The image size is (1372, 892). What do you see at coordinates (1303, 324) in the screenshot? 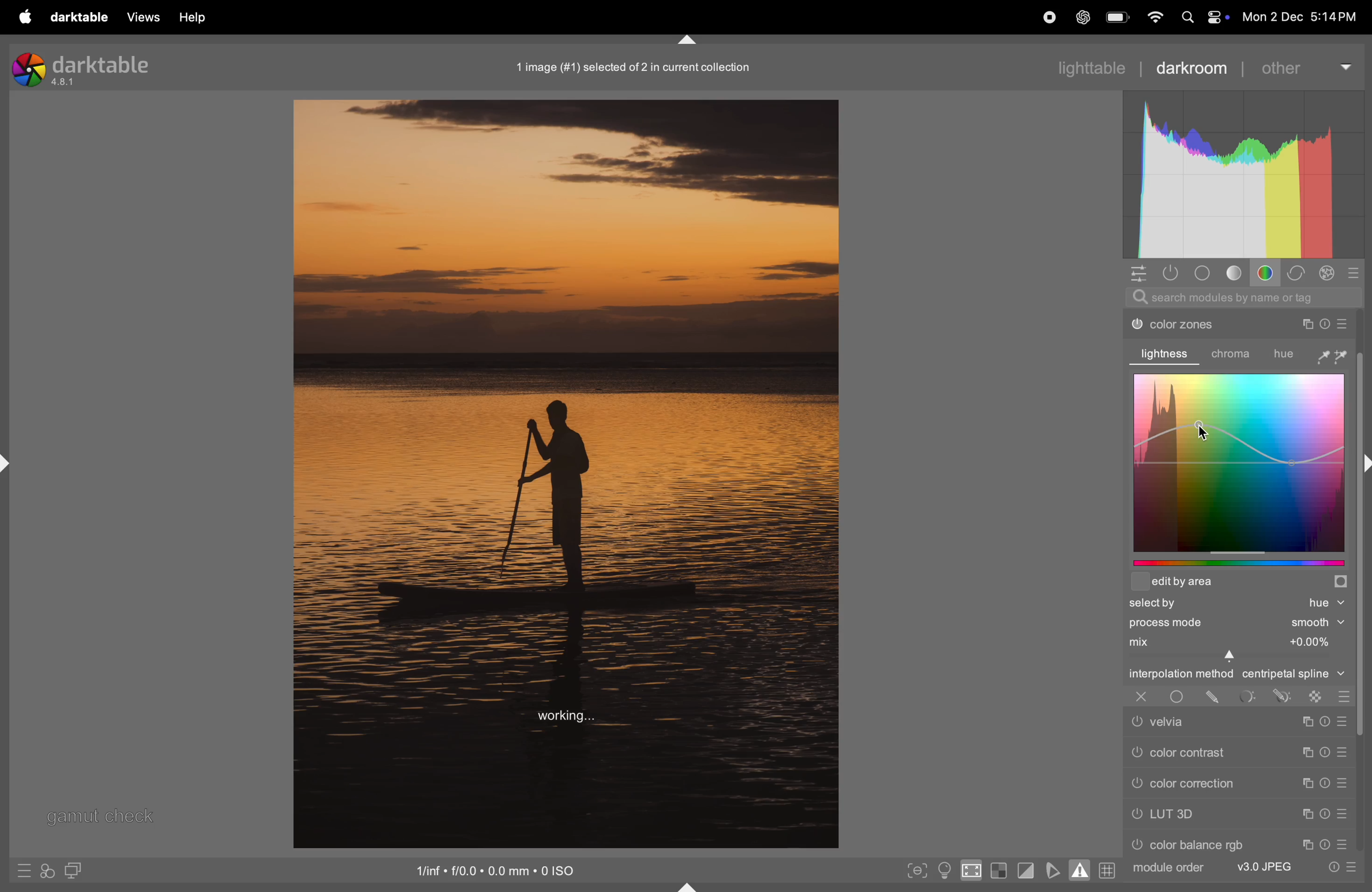
I see `Copy` at bounding box center [1303, 324].